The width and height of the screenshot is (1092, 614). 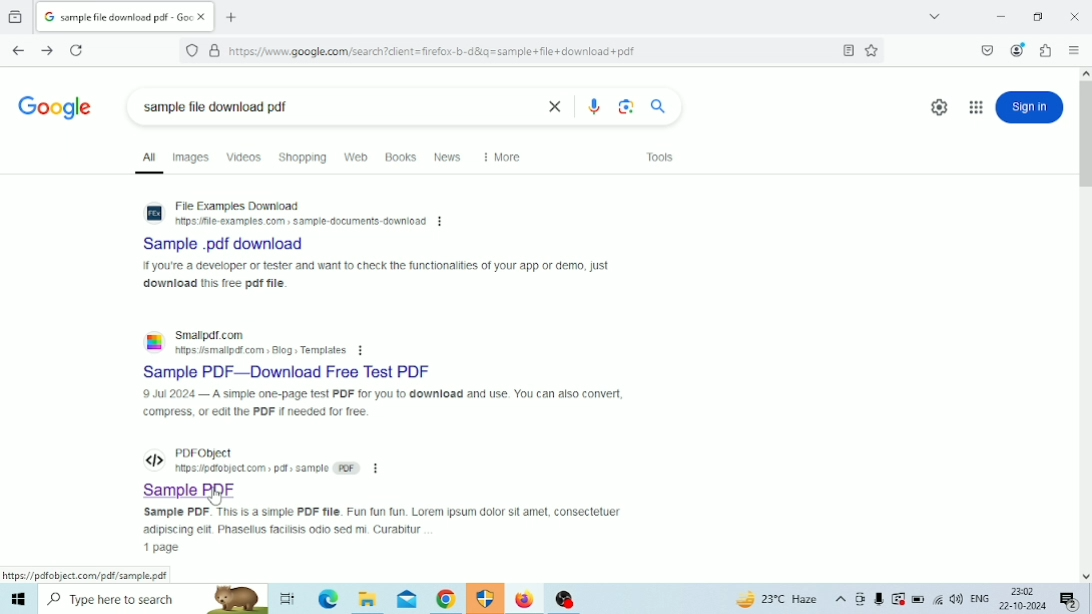 What do you see at coordinates (153, 212) in the screenshot?
I see `website logo` at bounding box center [153, 212].